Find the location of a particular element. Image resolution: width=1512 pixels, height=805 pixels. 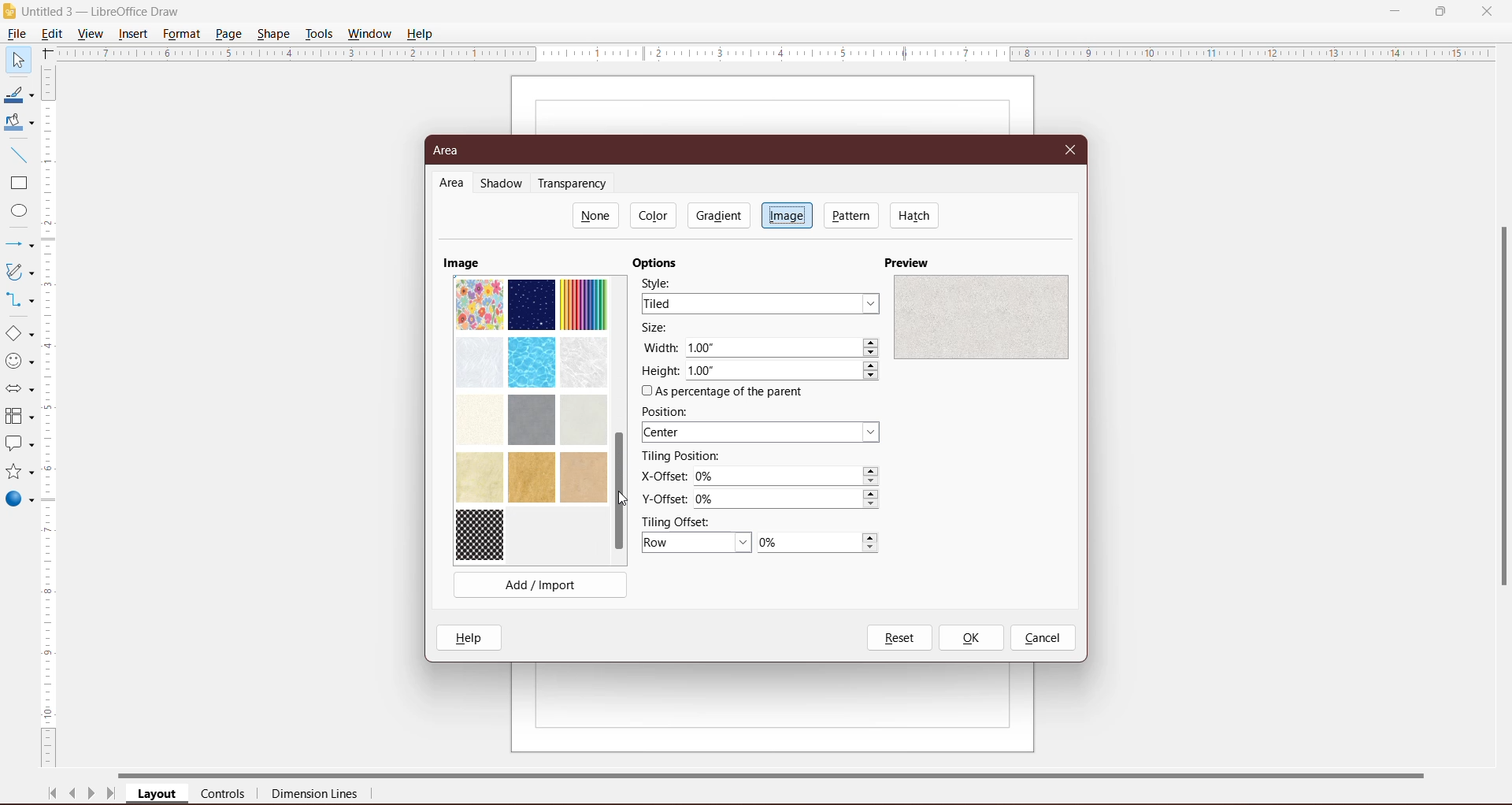

Lines and Arrows is located at coordinates (18, 246).